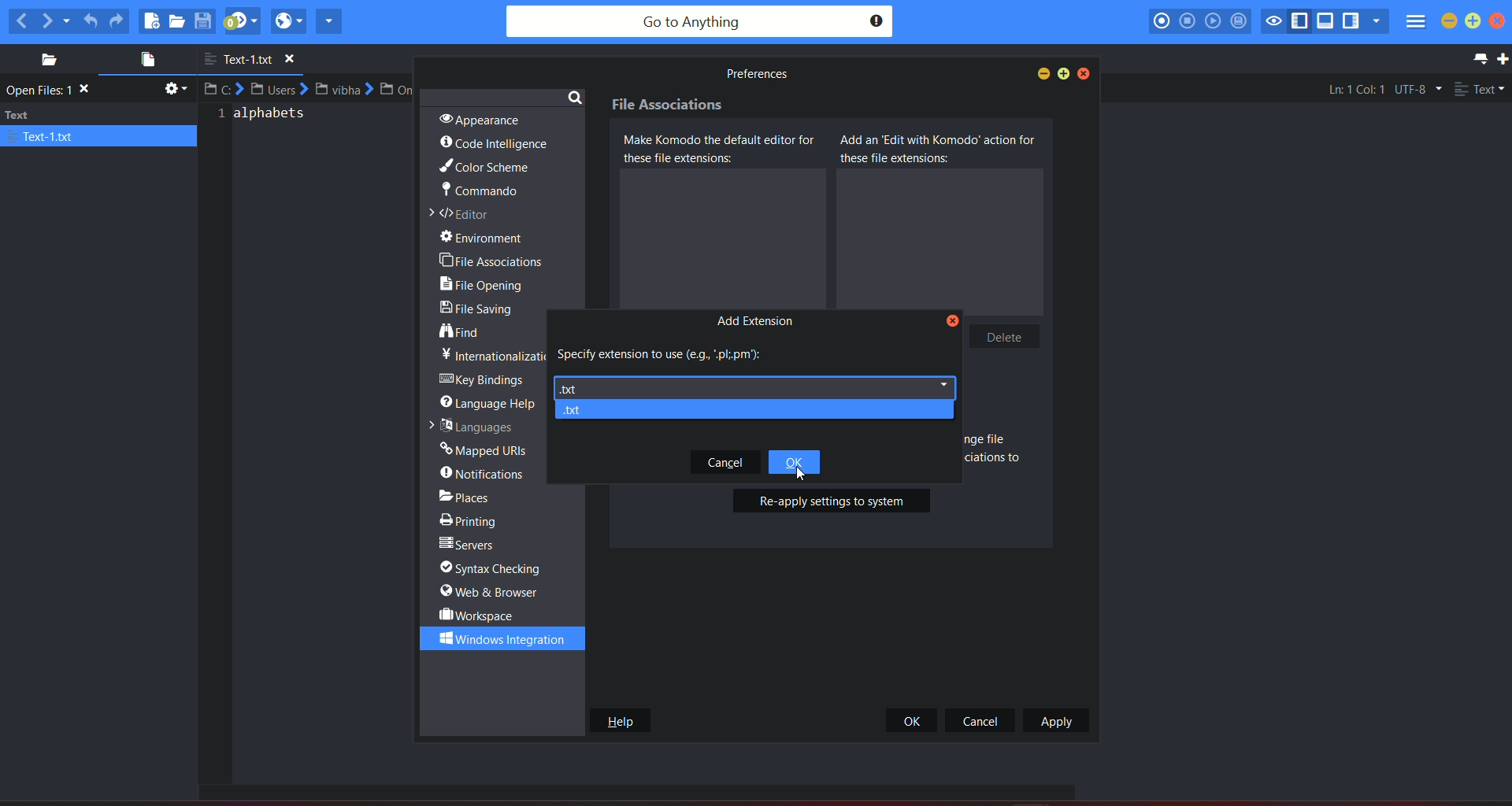 This screenshot has height=806, width=1512. What do you see at coordinates (464, 215) in the screenshot?
I see `editor` at bounding box center [464, 215].